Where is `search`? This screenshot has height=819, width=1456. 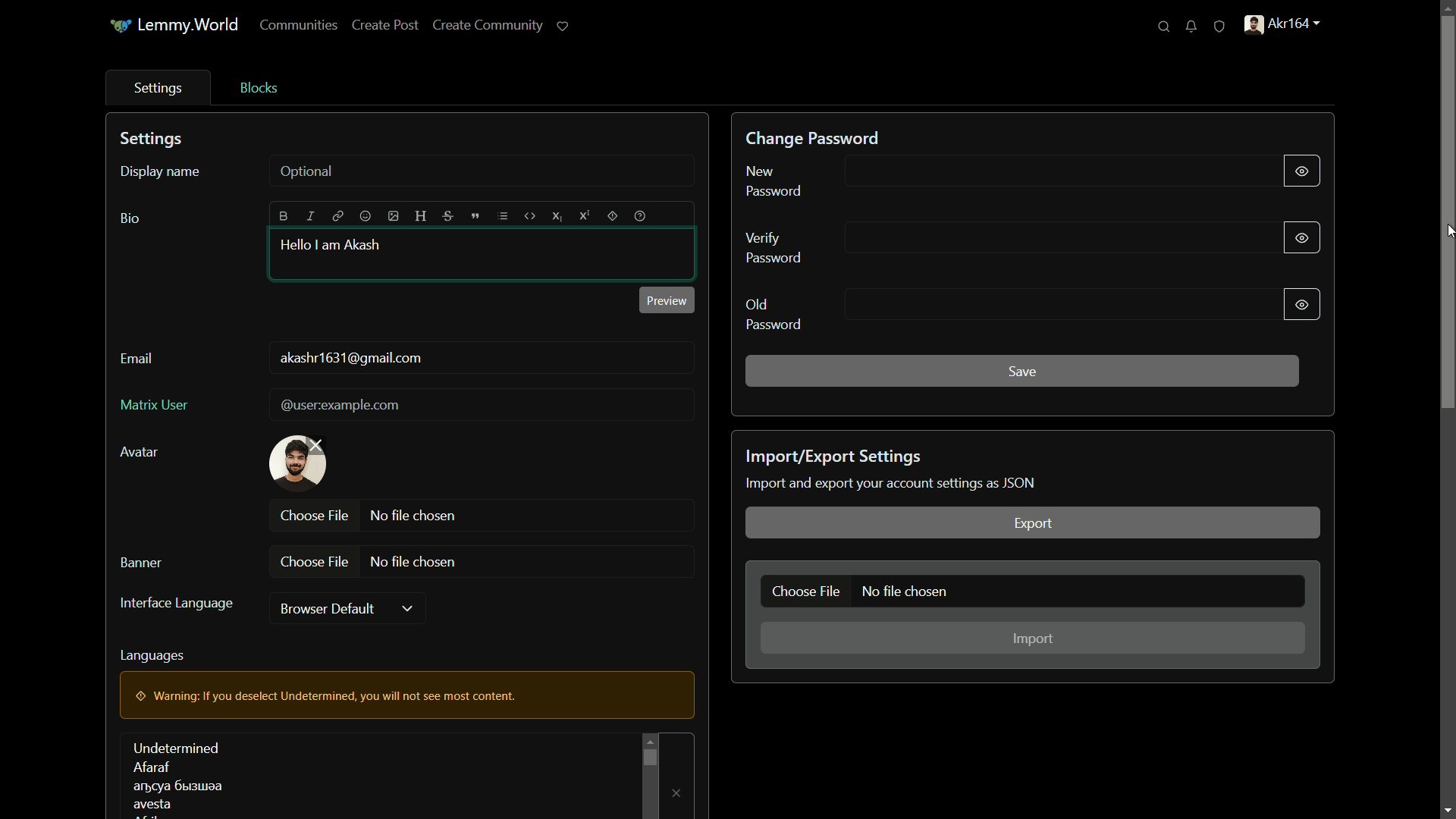 search is located at coordinates (1164, 26).